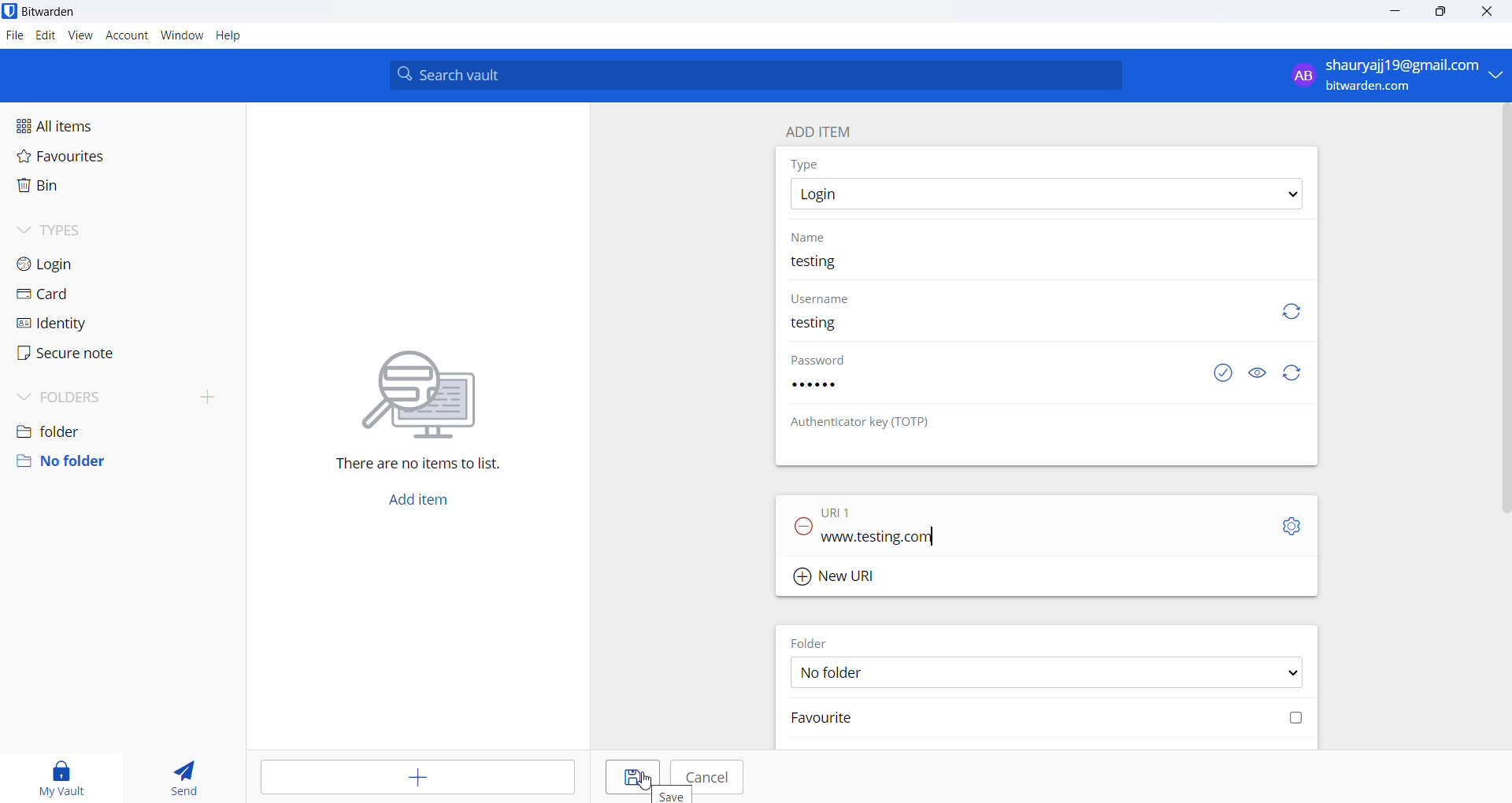  I want to click on close, so click(1484, 11).